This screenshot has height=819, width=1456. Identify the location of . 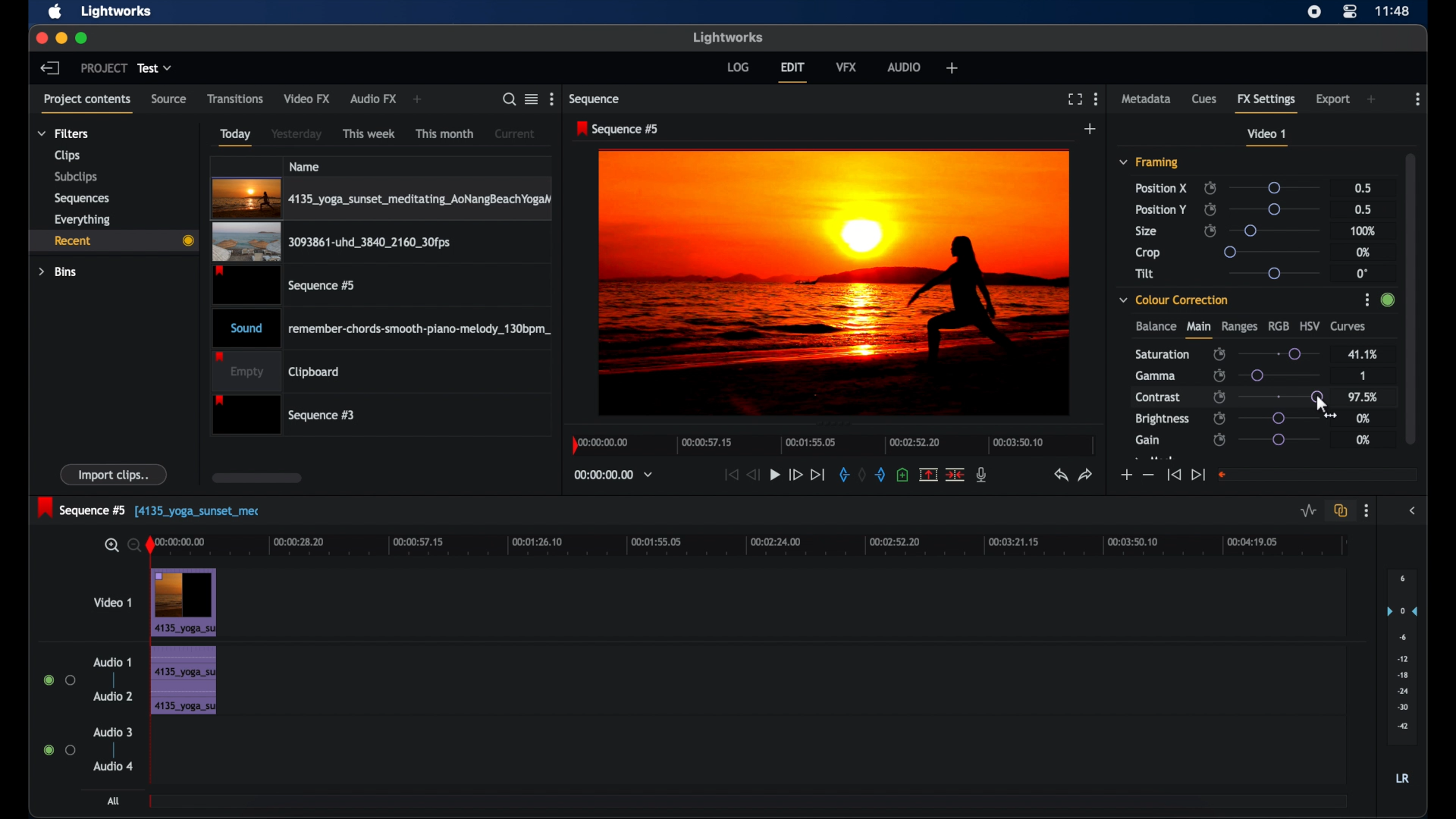
(1200, 330).